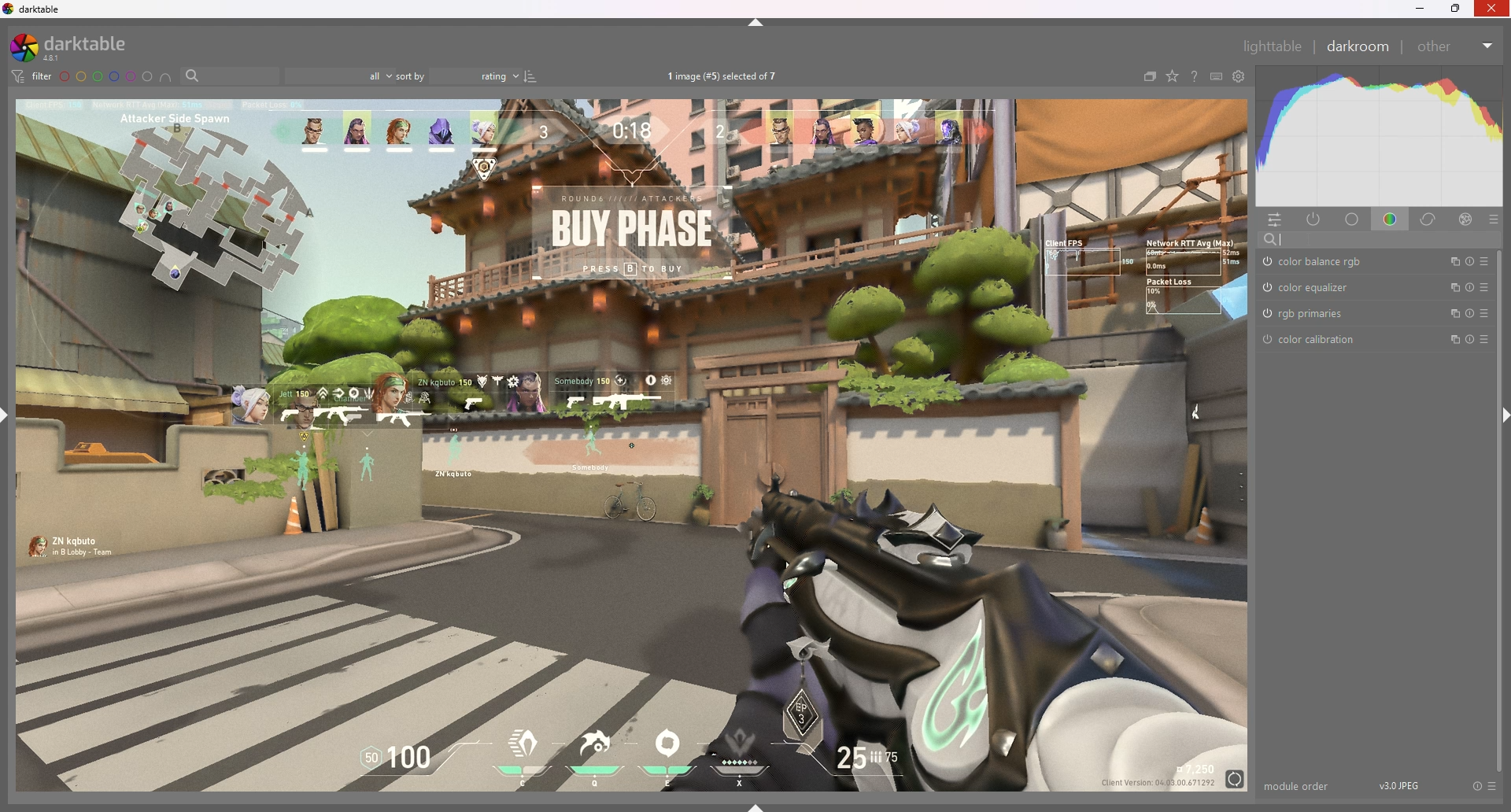 This screenshot has height=812, width=1511. Describe the element at coordinates (168, 77) in the screenshot. I see `include color labels` at that location.